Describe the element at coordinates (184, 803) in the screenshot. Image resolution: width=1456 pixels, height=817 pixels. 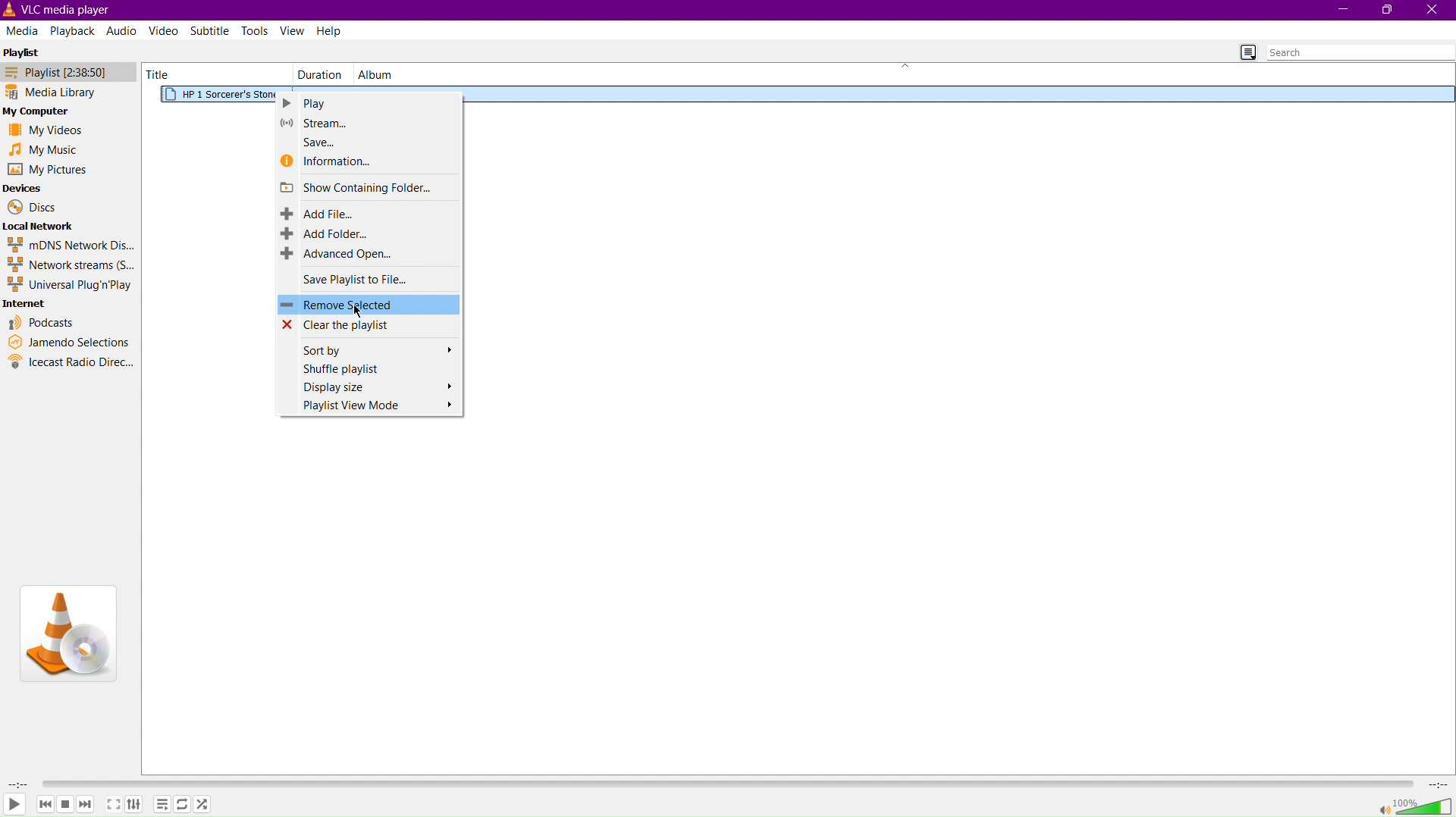
I see `Loop` at that location.